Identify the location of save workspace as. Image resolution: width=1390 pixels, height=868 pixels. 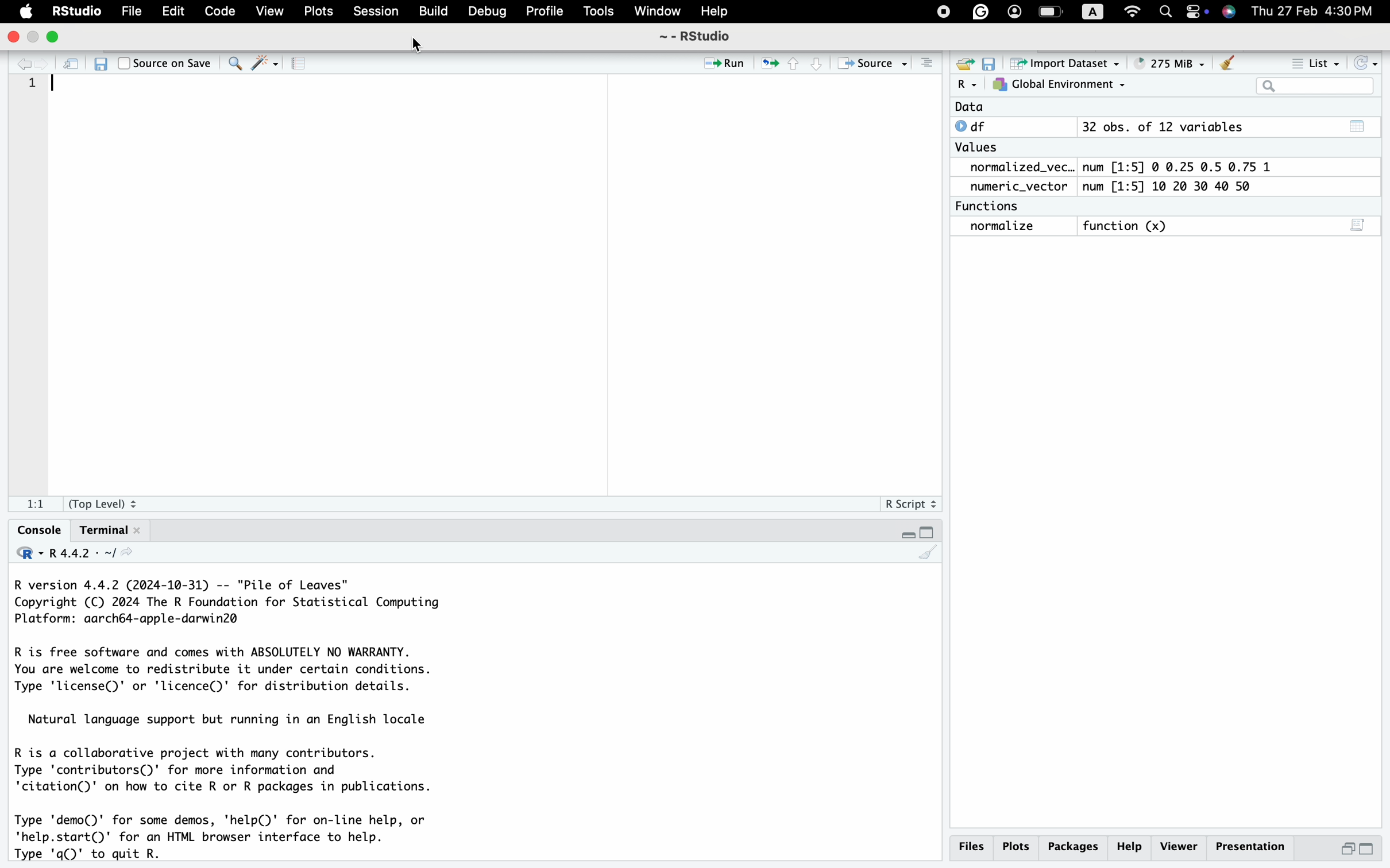
(993, 64).